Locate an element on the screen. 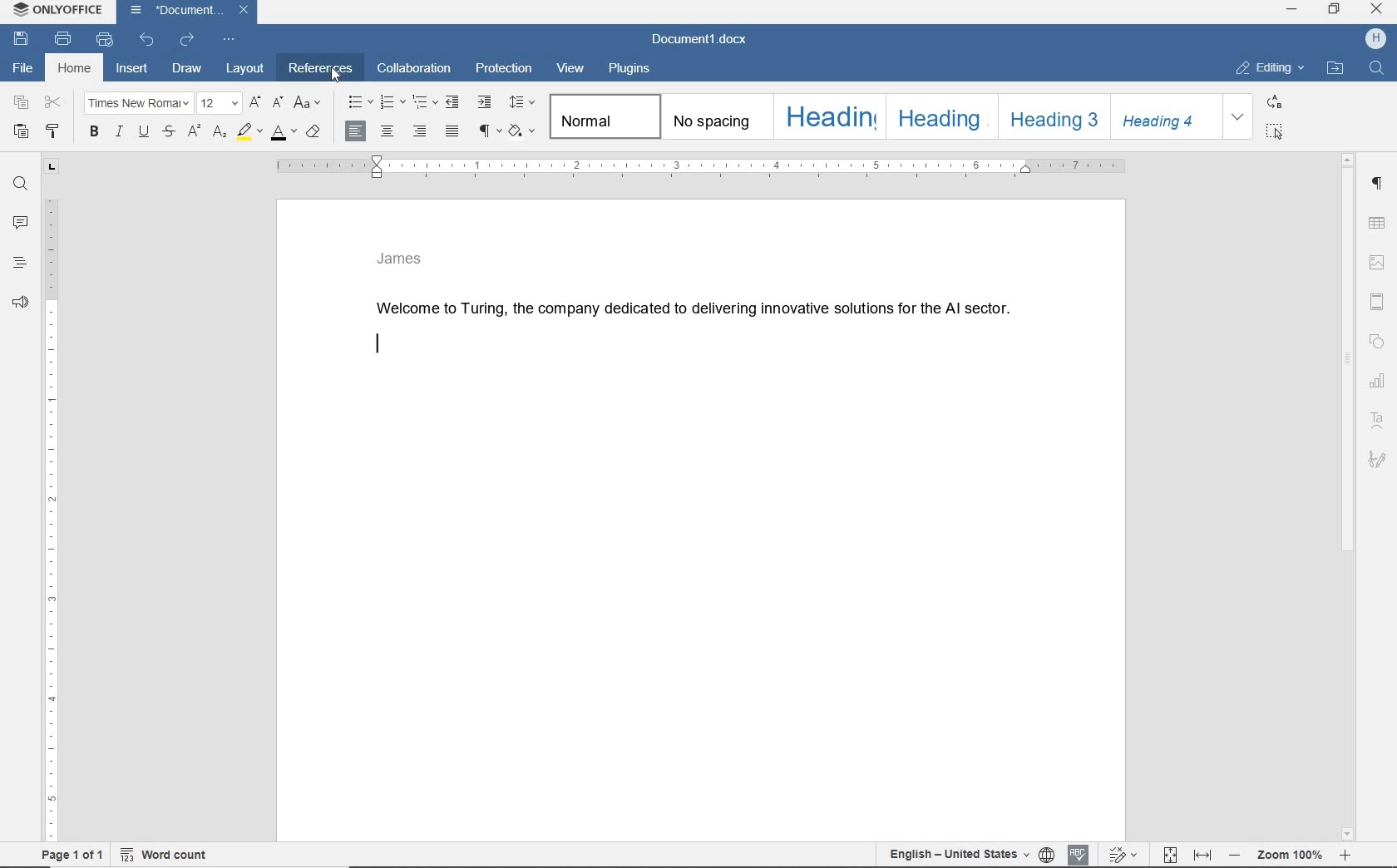 The height and width of the screenshot is (868, 1397). customize quick access bar is located at coordinates (227, 40).